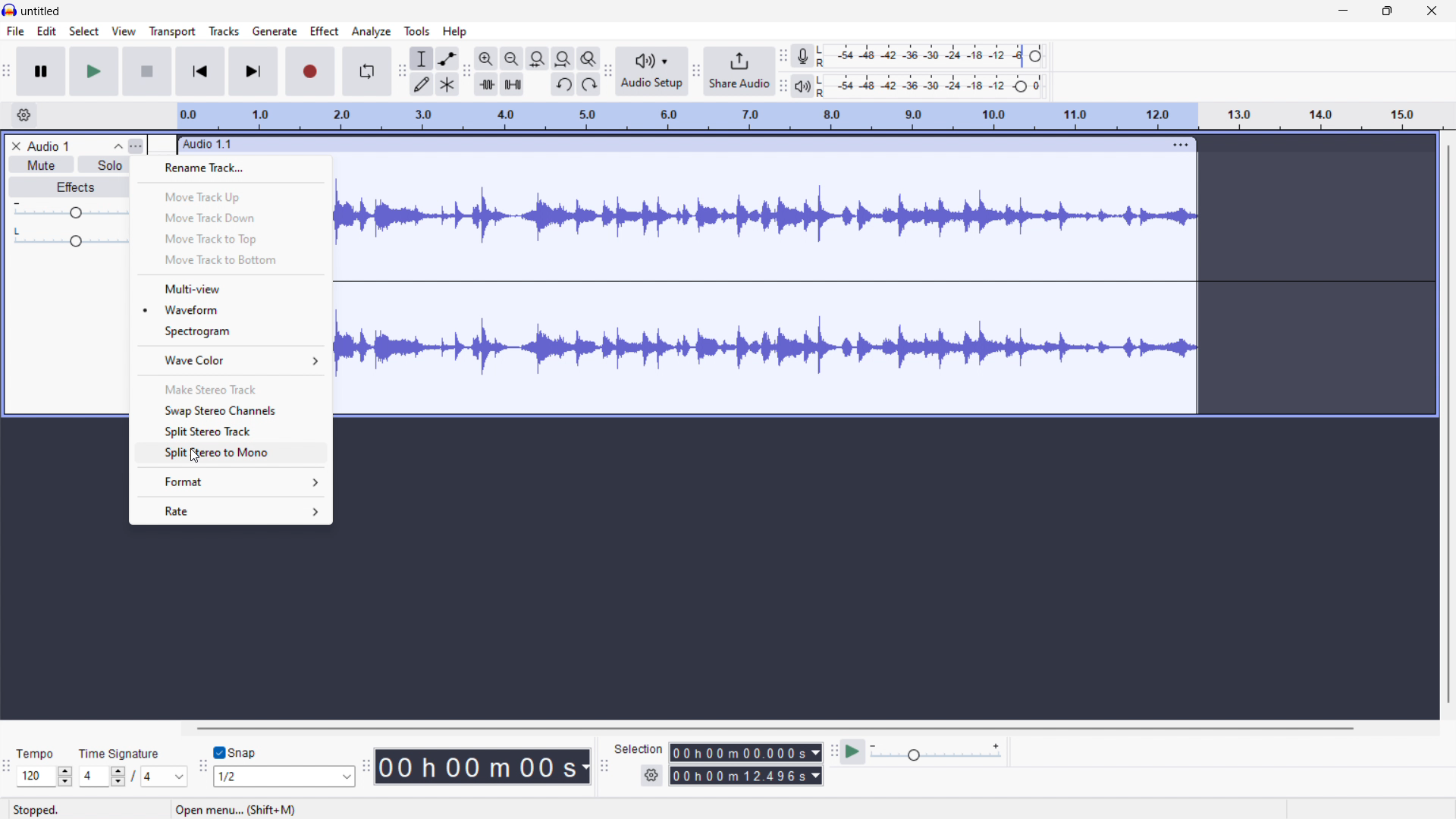 This screenshot has width=1456, height=819. Describe the element at coordinates (232, 309) in the screenshot. I see `waveform` at that location.